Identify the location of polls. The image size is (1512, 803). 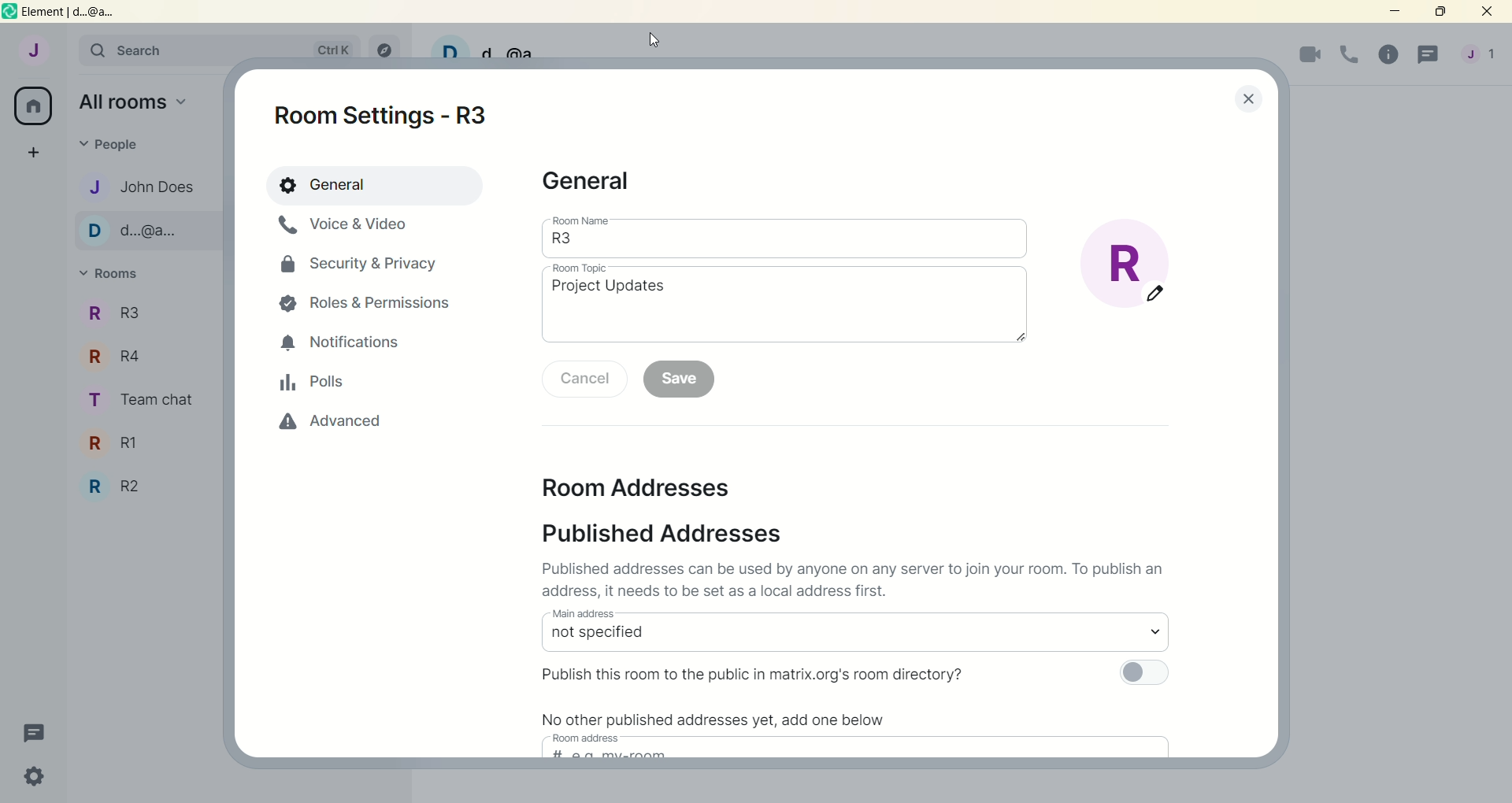
(313, 380).